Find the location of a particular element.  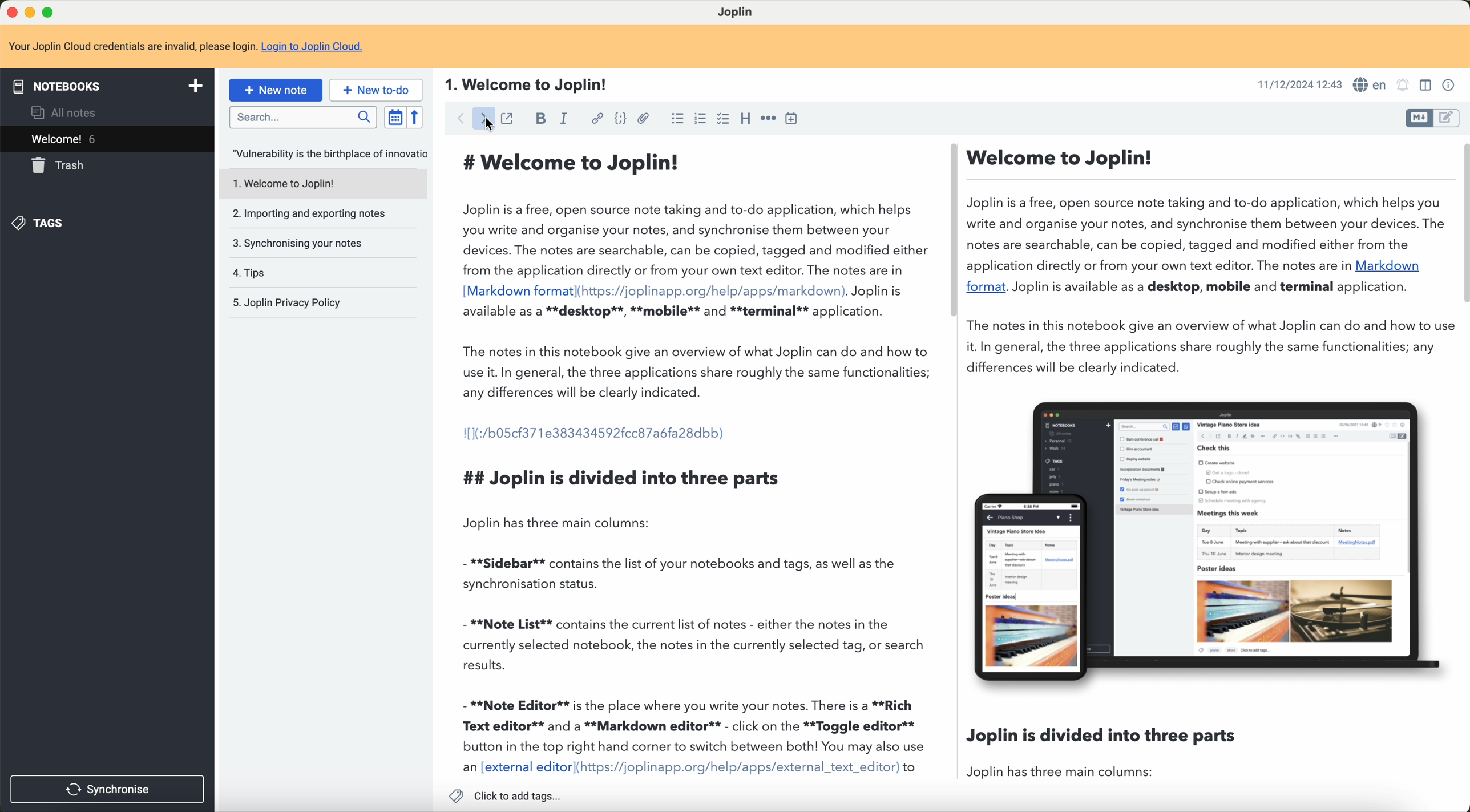

click on foward arrow is located at coordinates (483, 119).